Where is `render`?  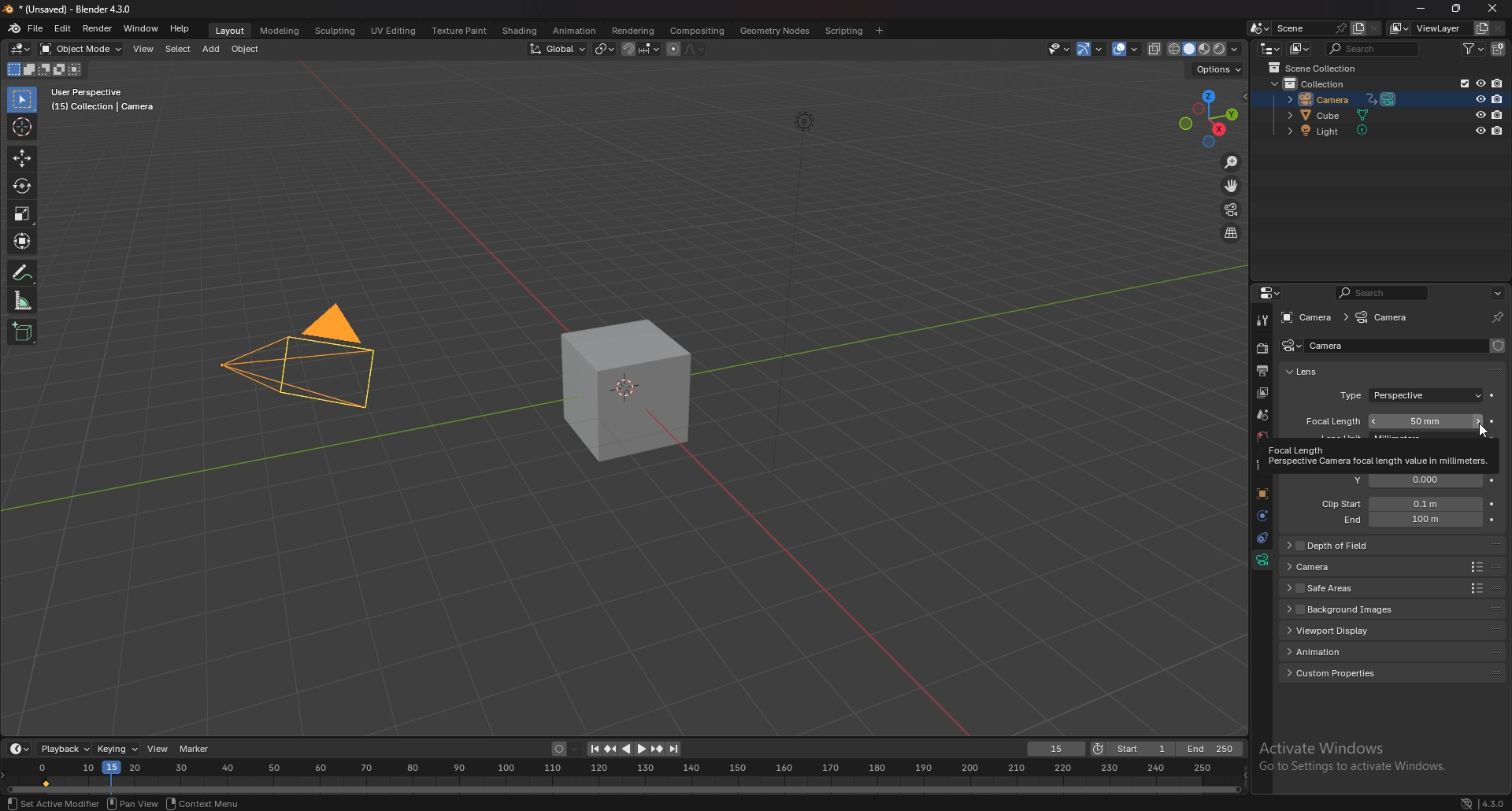
render is located at coordinates (1261, 350).